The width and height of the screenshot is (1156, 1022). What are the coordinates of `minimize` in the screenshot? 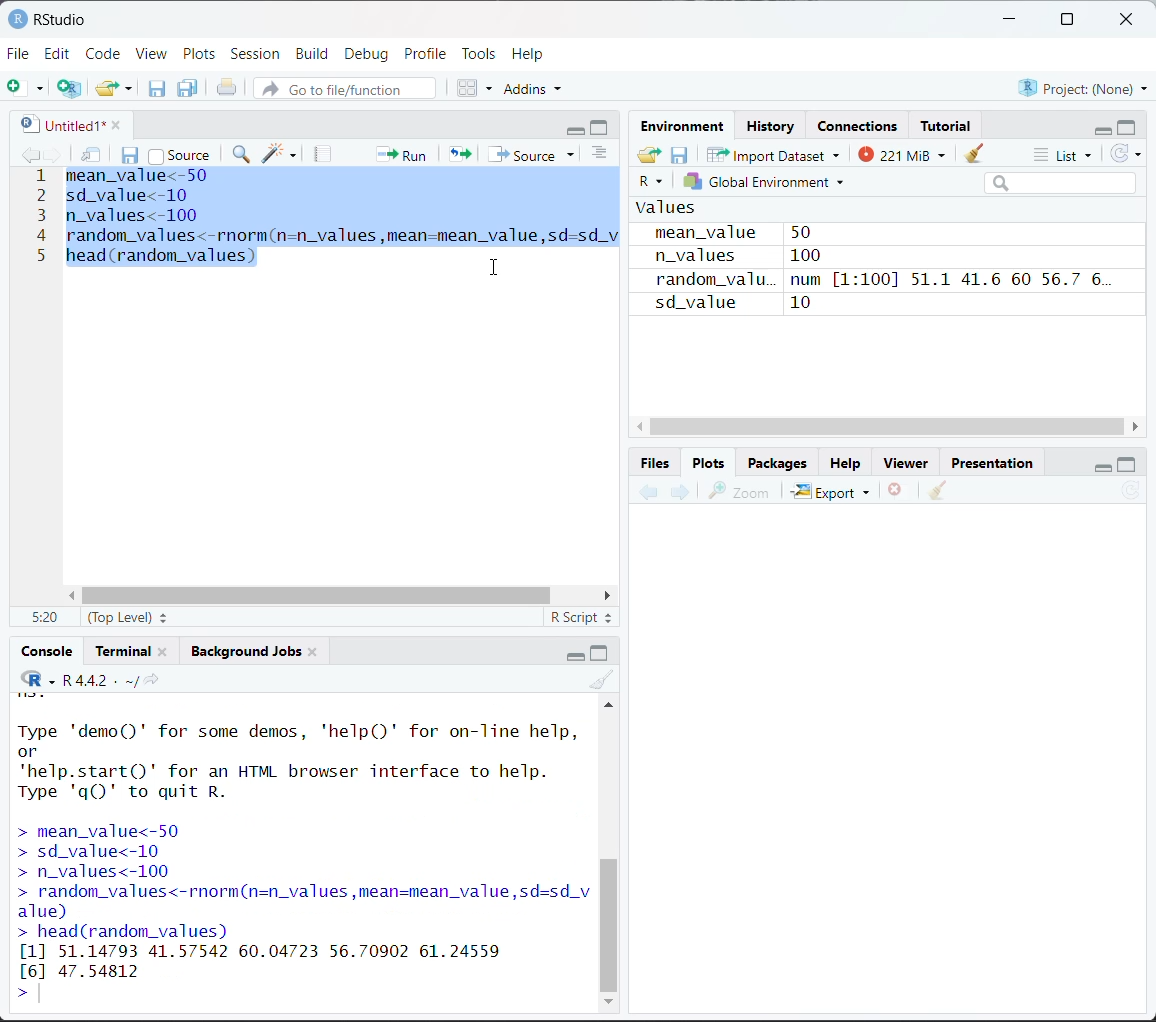 It's located at (576, 128).